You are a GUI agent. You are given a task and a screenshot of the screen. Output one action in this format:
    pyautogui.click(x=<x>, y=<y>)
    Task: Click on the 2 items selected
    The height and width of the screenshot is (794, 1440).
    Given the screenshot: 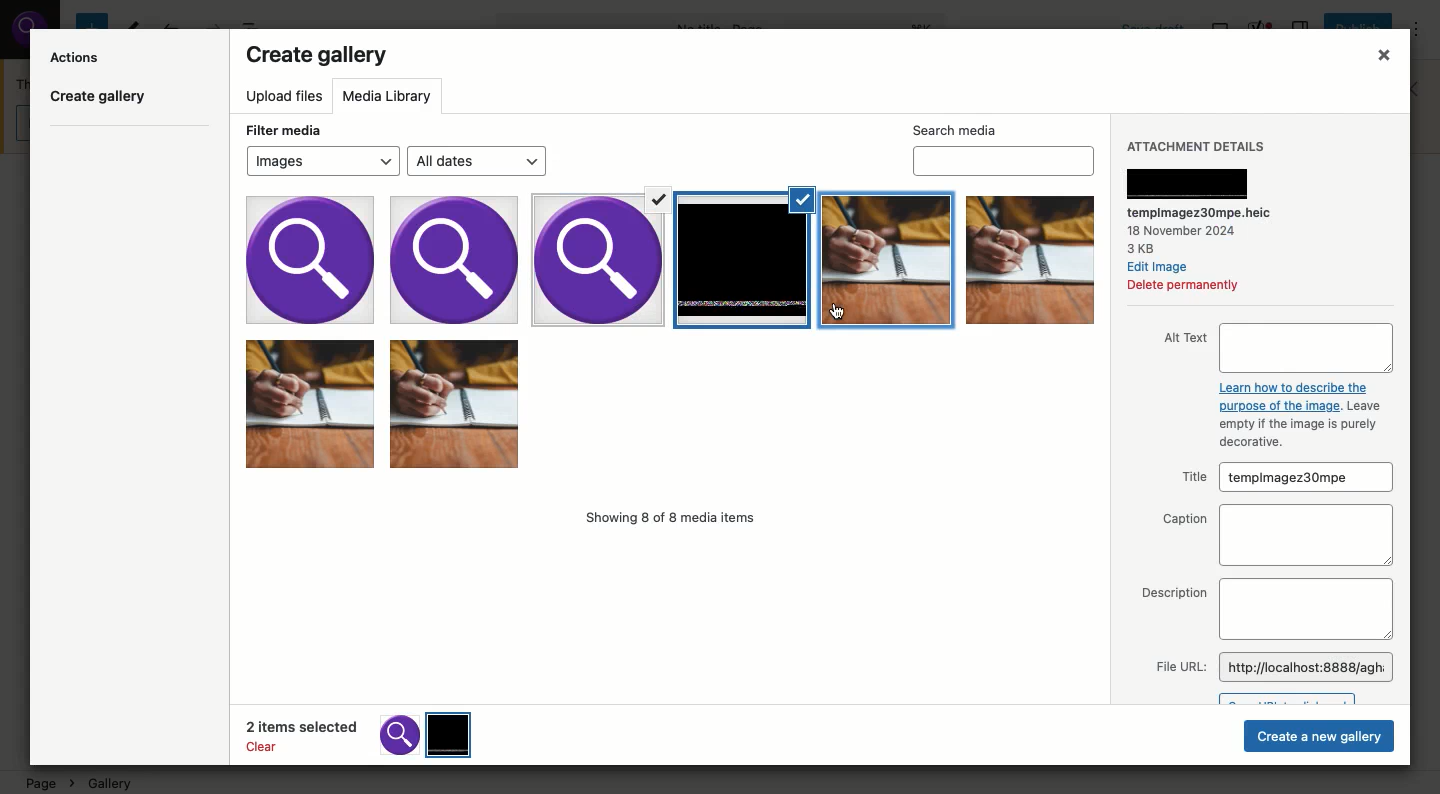 What is the action you would take?
    pyautogui.click(x=364, y=734)
    